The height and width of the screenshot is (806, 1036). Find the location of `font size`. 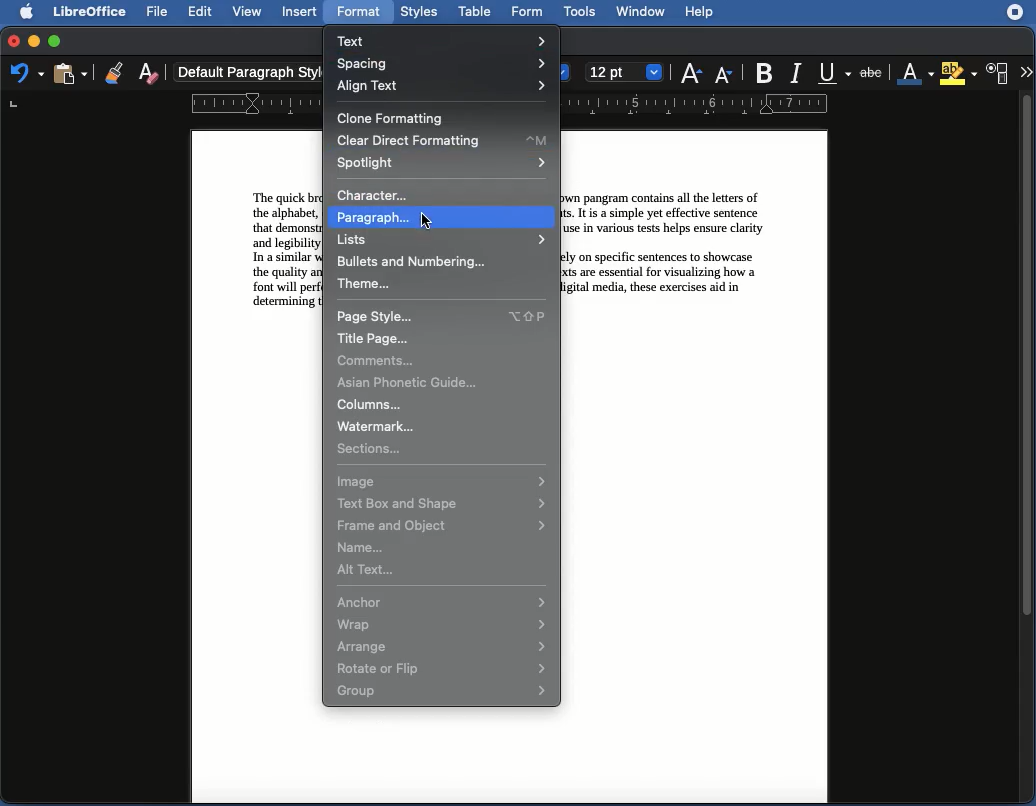

font size is located at coordinates (620, 73).